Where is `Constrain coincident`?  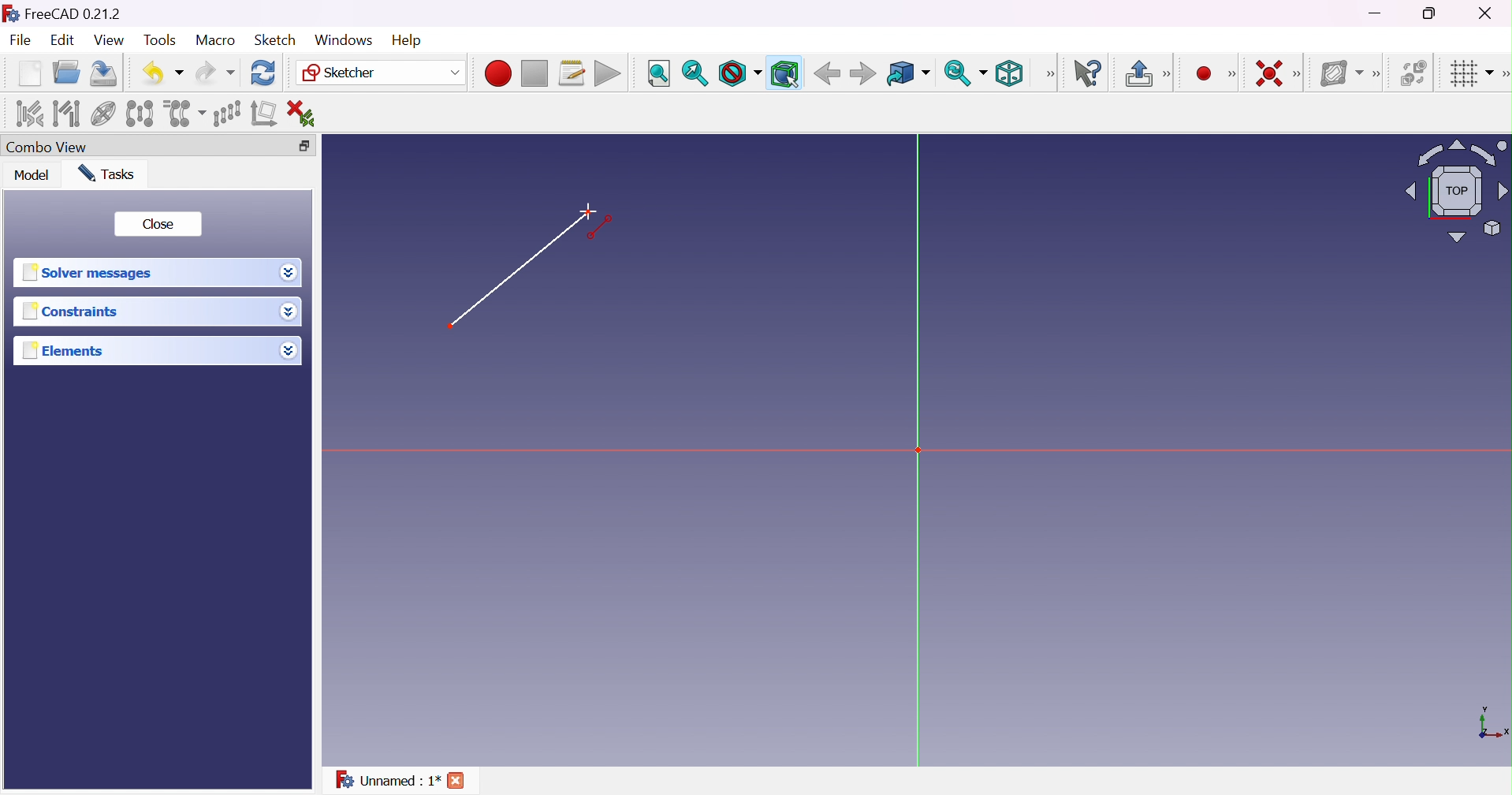
Constrain coincident is located at coordinates (1267, 73).